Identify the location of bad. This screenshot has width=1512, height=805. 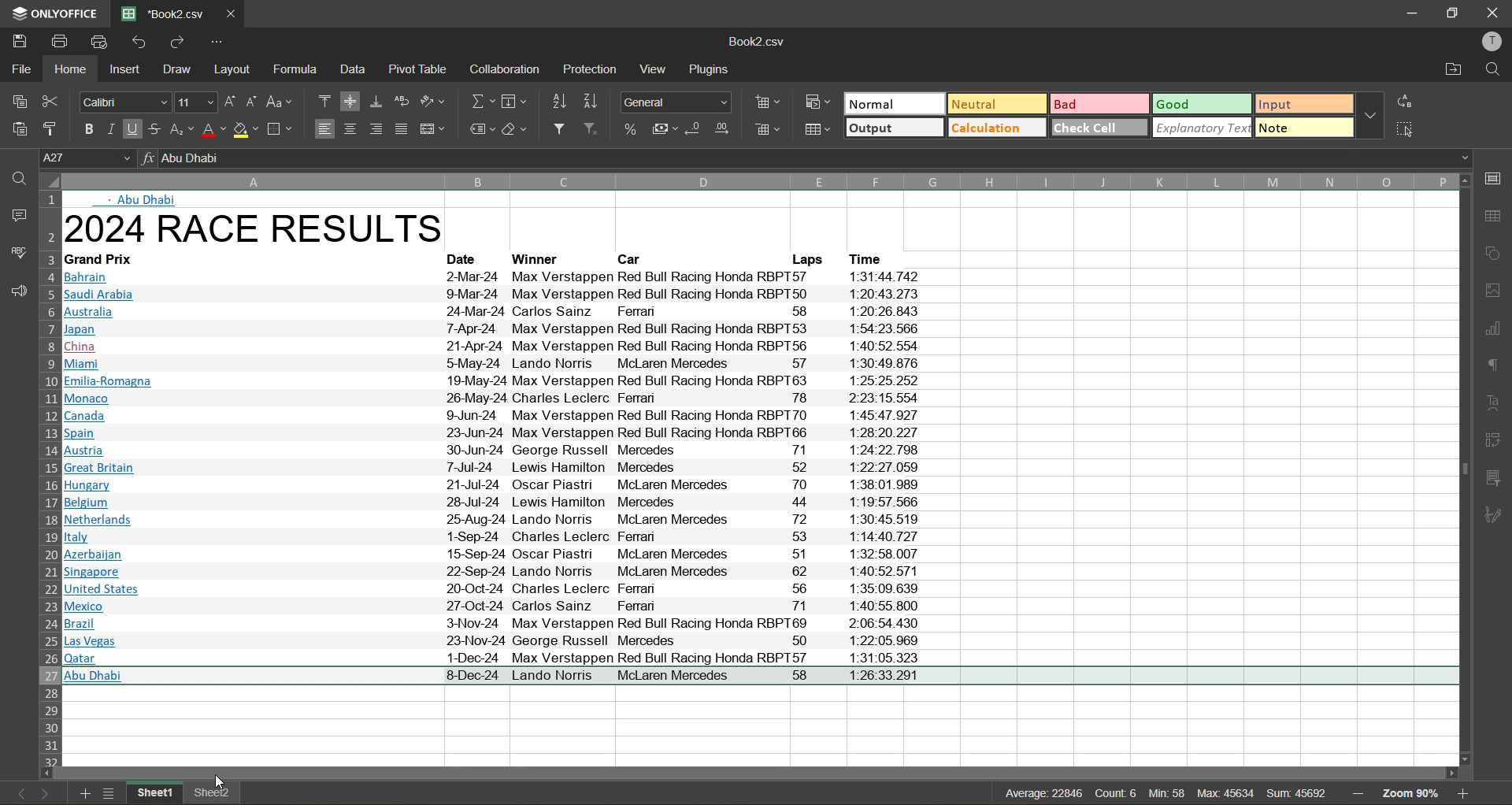
(1102, 103).